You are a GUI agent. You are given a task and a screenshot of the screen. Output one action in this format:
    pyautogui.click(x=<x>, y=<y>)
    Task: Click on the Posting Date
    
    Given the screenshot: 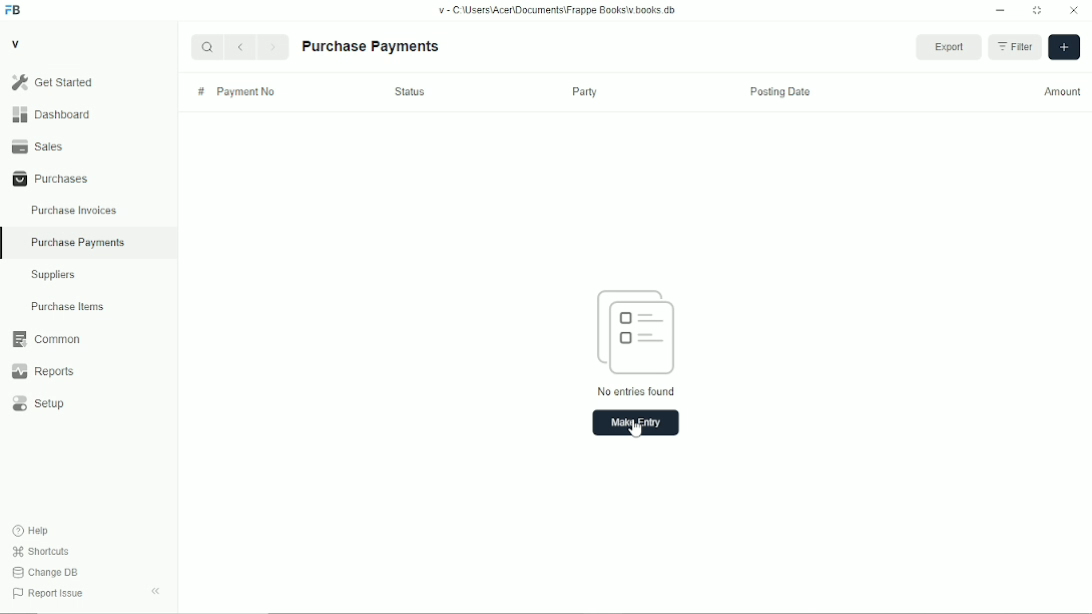 What is the action you would take?
    pyautogui.click(x=780, y=92)
    